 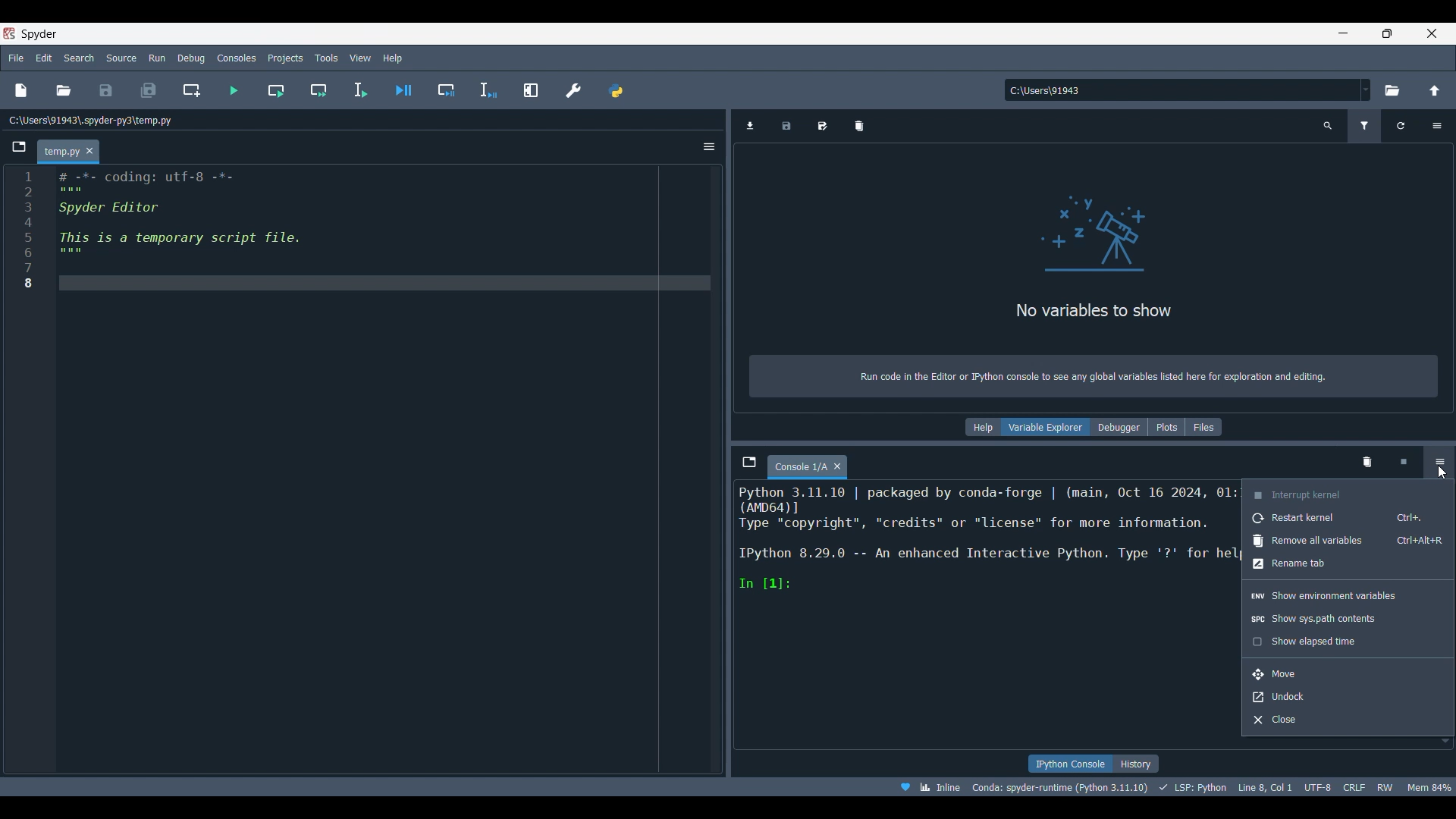 I want to click on Refresh variables, so click(x=1401, y=126).